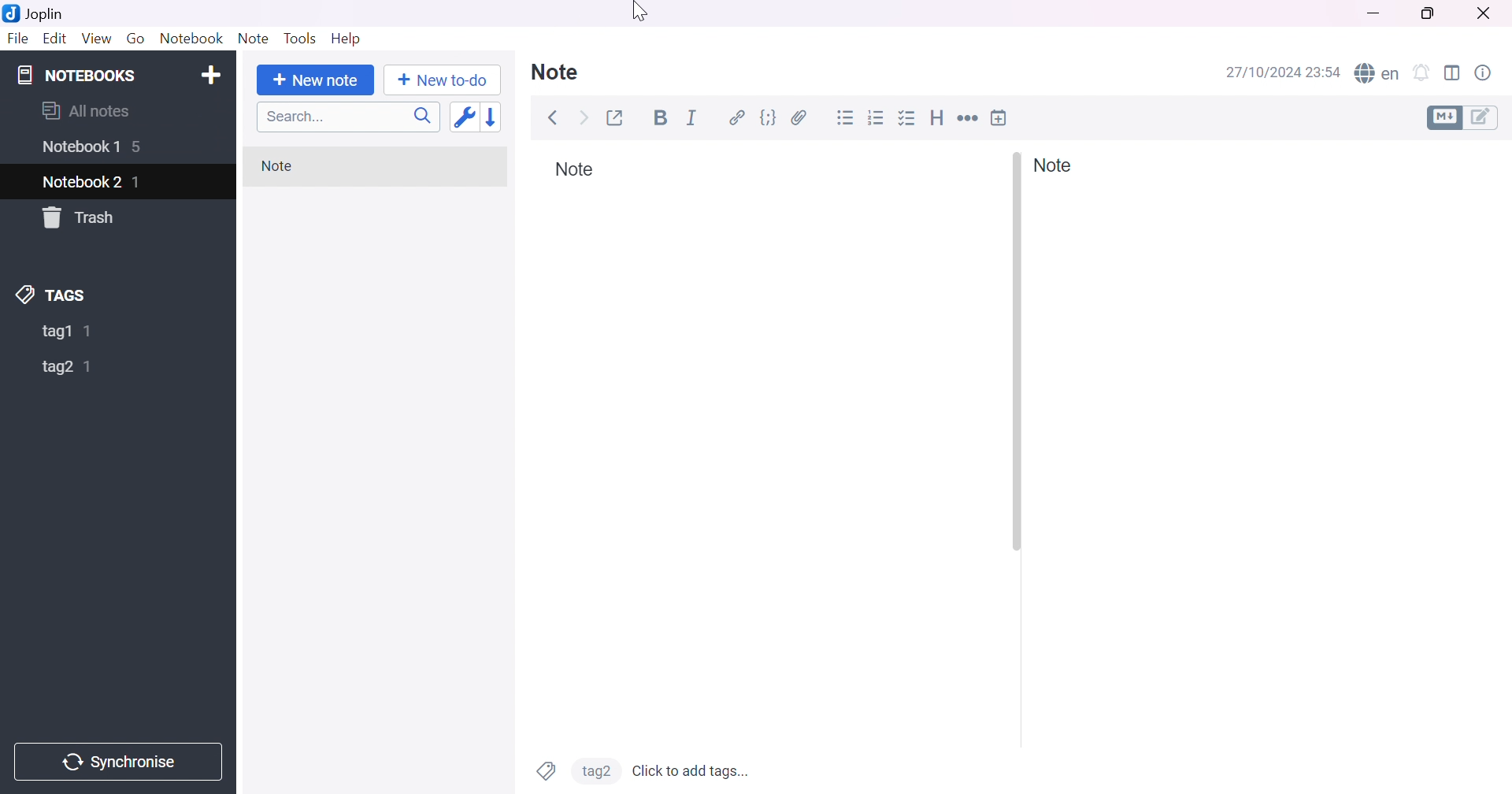 The image size is (1512, 794). Describe the element at coordinates (54, 295) in the screenshot. I see `TAGS` at that location.